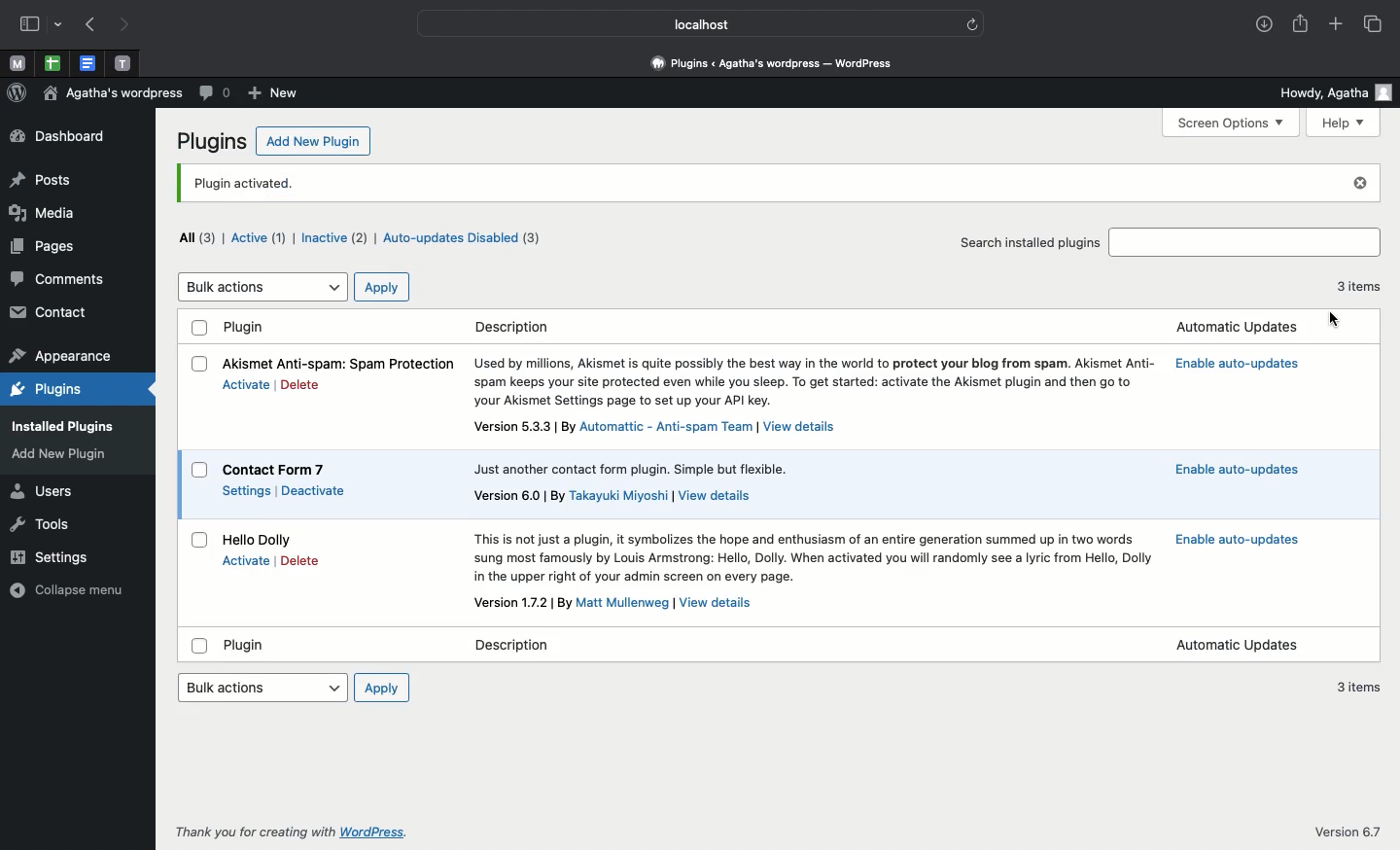 The height and width of the screenshot is (850, 1400). I want to click on Plugin activated, so click(759, 184).